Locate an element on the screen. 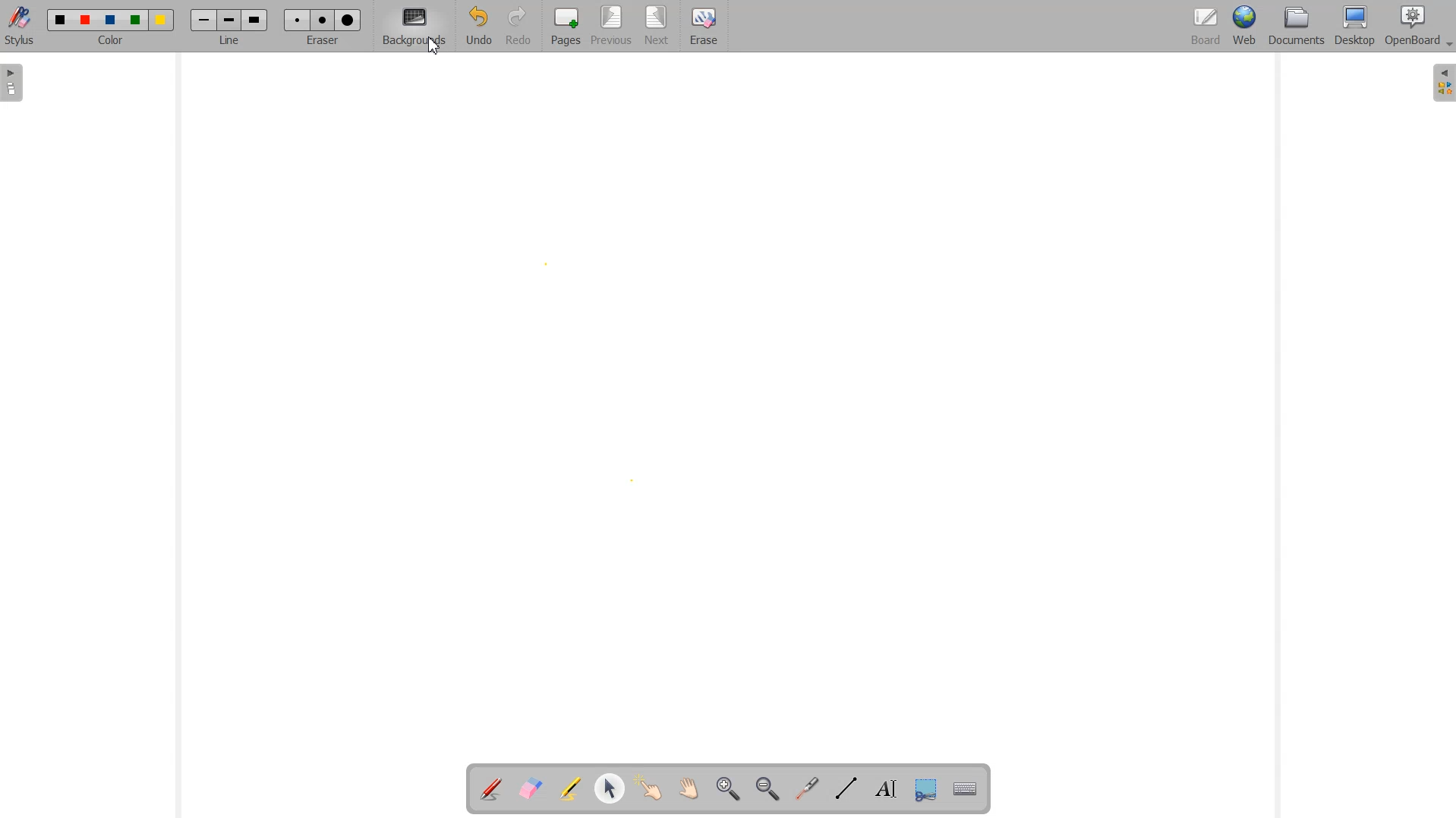 The width and height of the screenshot is (1456, 818). Line is located at coordinates (231, 26).